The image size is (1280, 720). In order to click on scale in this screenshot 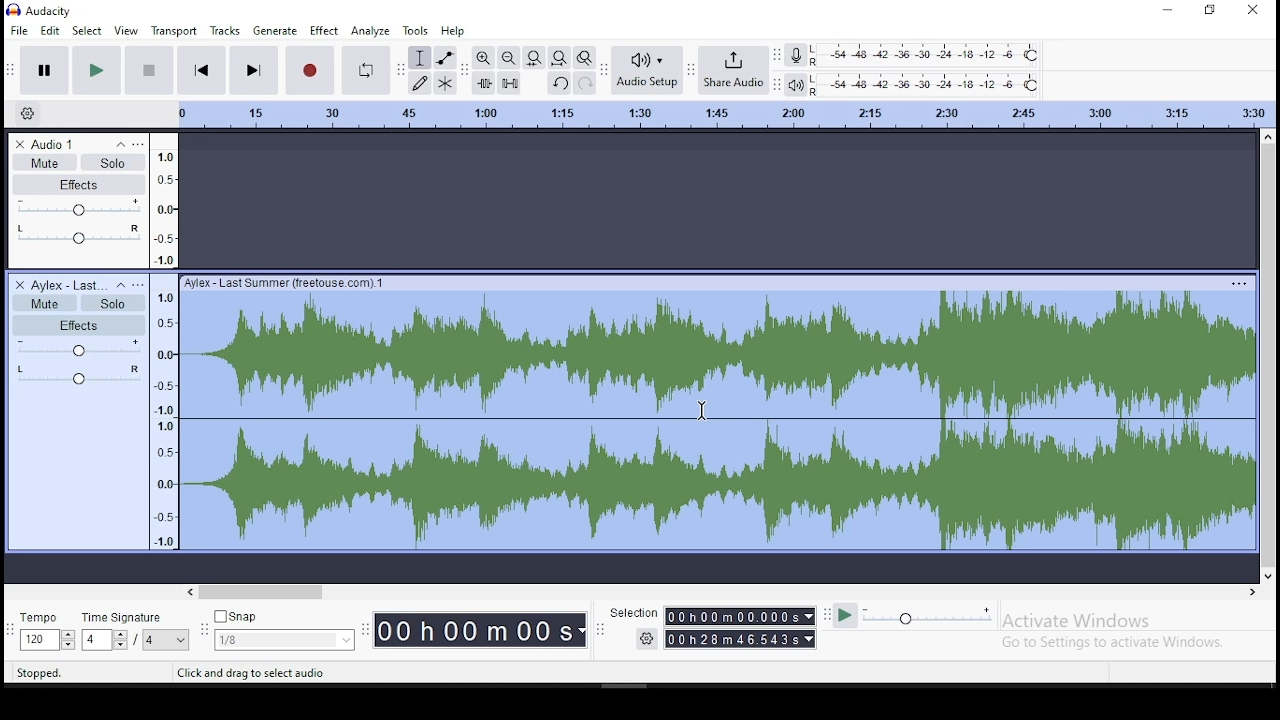, I will do `click(164, 341)`.